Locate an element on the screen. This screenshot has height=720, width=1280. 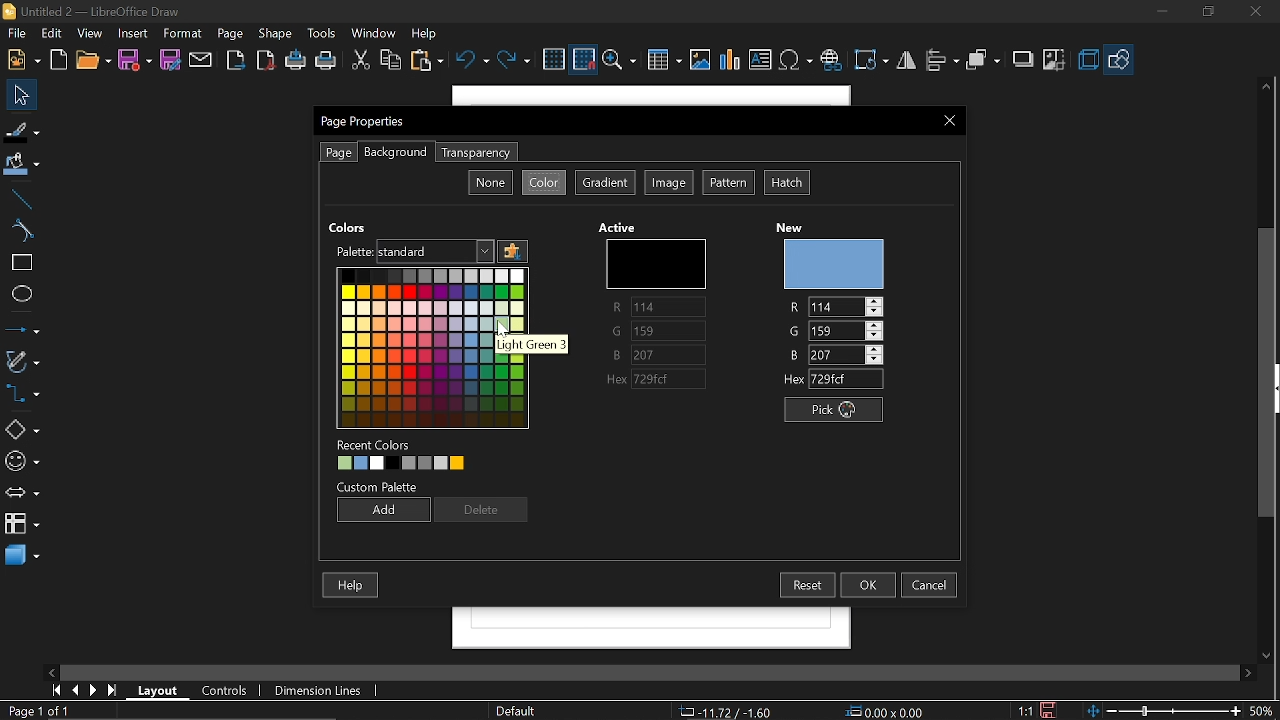
Insert hyprelink is located at coordinates (831, 61).